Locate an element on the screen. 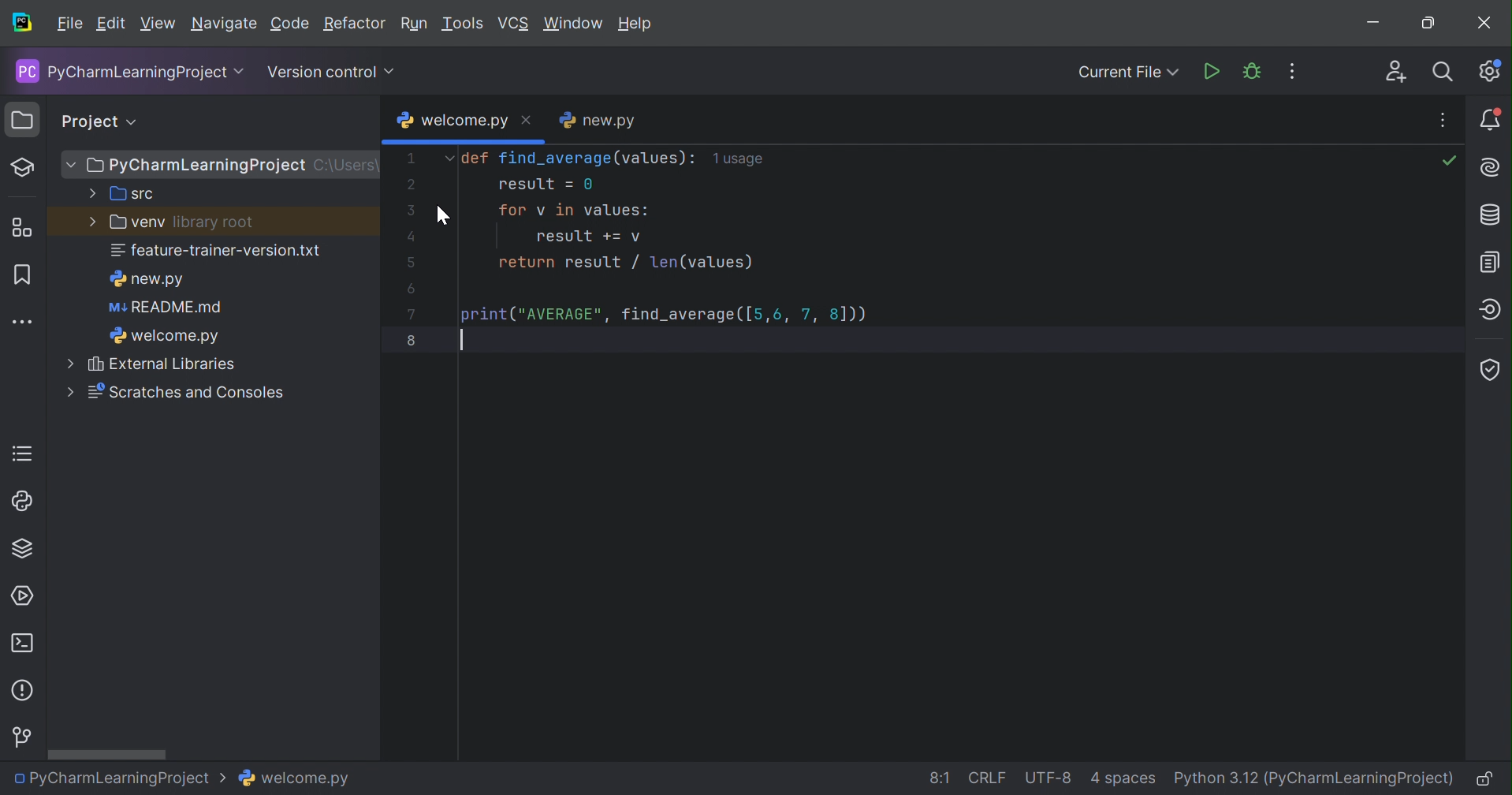 The height and width of the screenshot is (795, 1512). Run 'welcome.py' is located at coordinates (1213, 72).